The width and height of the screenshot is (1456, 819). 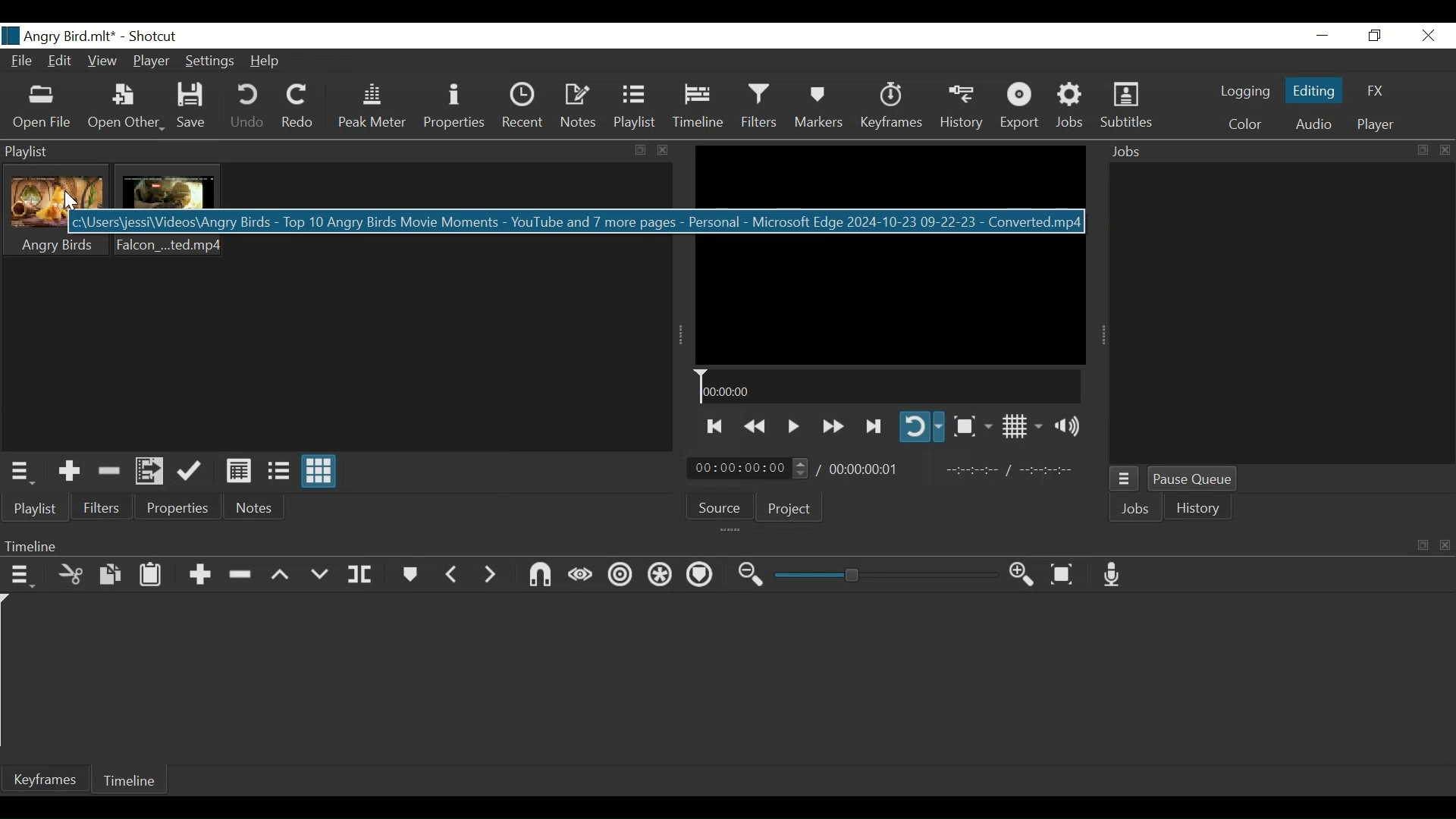 I want to click on Playlist , so click(x=34, y=508).